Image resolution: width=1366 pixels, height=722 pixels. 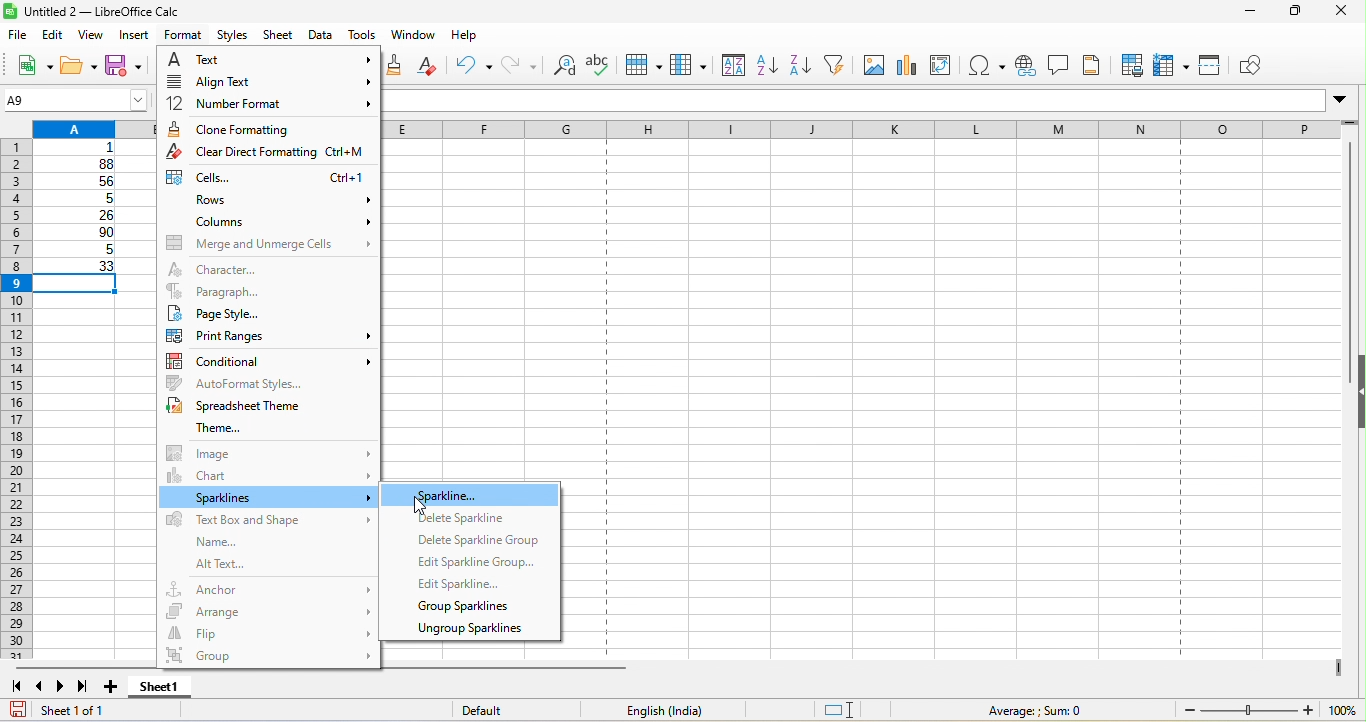 What do you see at coordinates (566, 68) in the screenshot?
I see `find and replace` at bounding box center [566, 68].